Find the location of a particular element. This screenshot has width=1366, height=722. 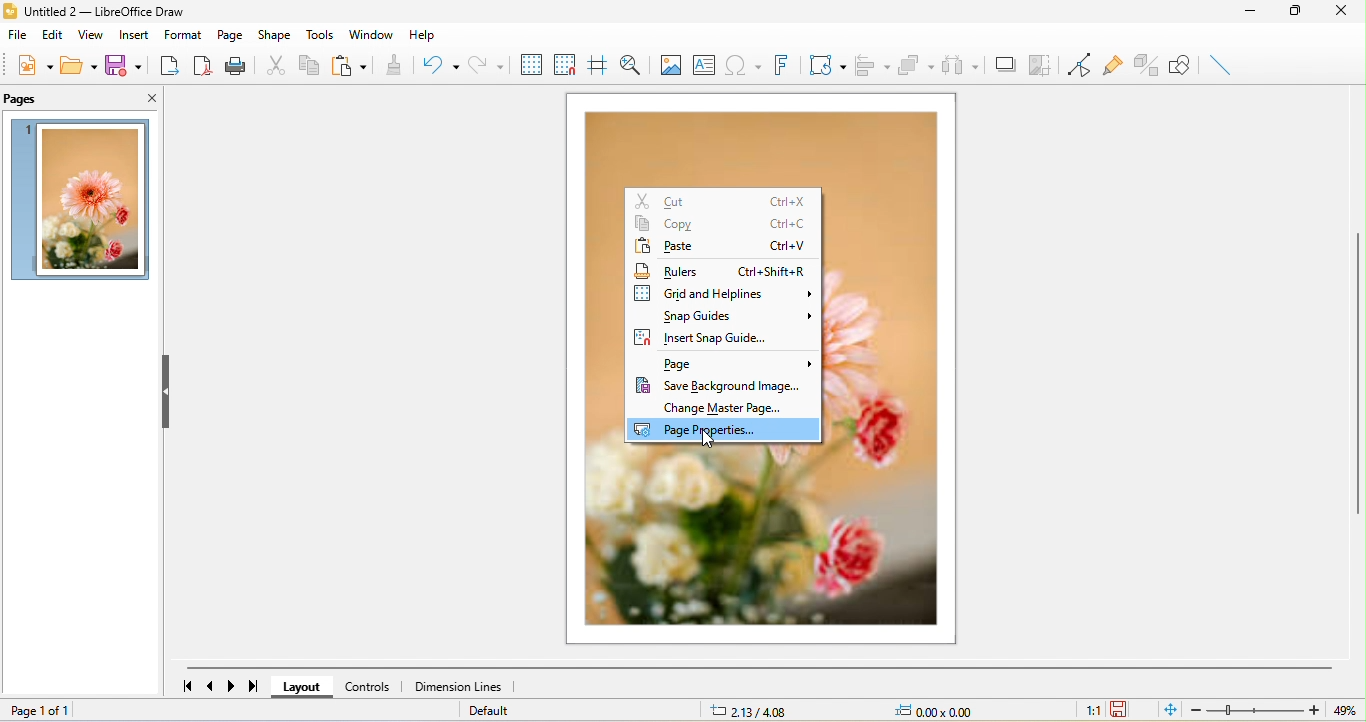

snap to grid is located at coordinates (564, 61).